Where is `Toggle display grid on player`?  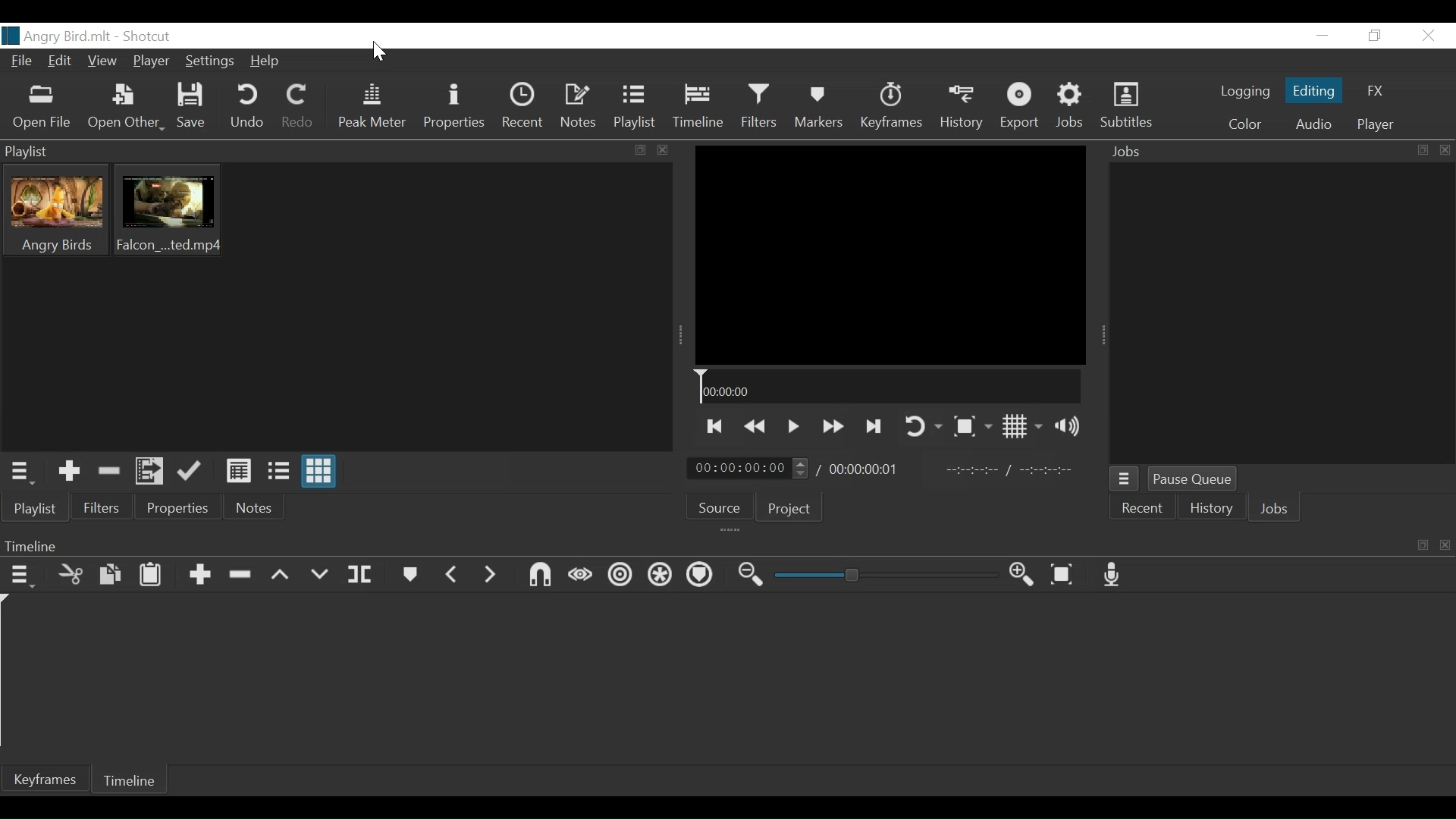 Toggle display grid on player is located at coordinates (1023, 426).